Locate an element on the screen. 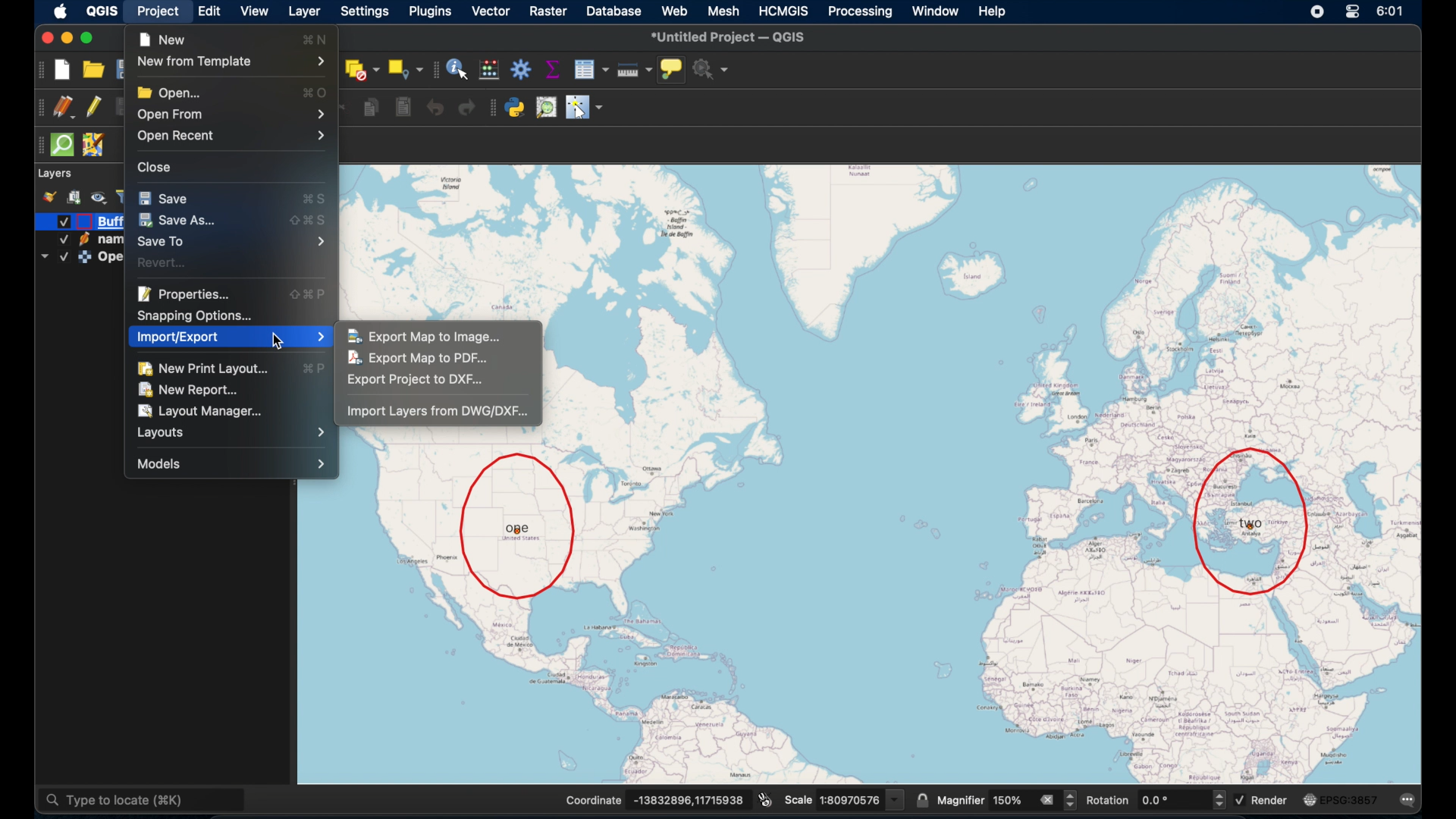 This screenshot has height=819, width=1456. help is located at coordinates (994, 14).